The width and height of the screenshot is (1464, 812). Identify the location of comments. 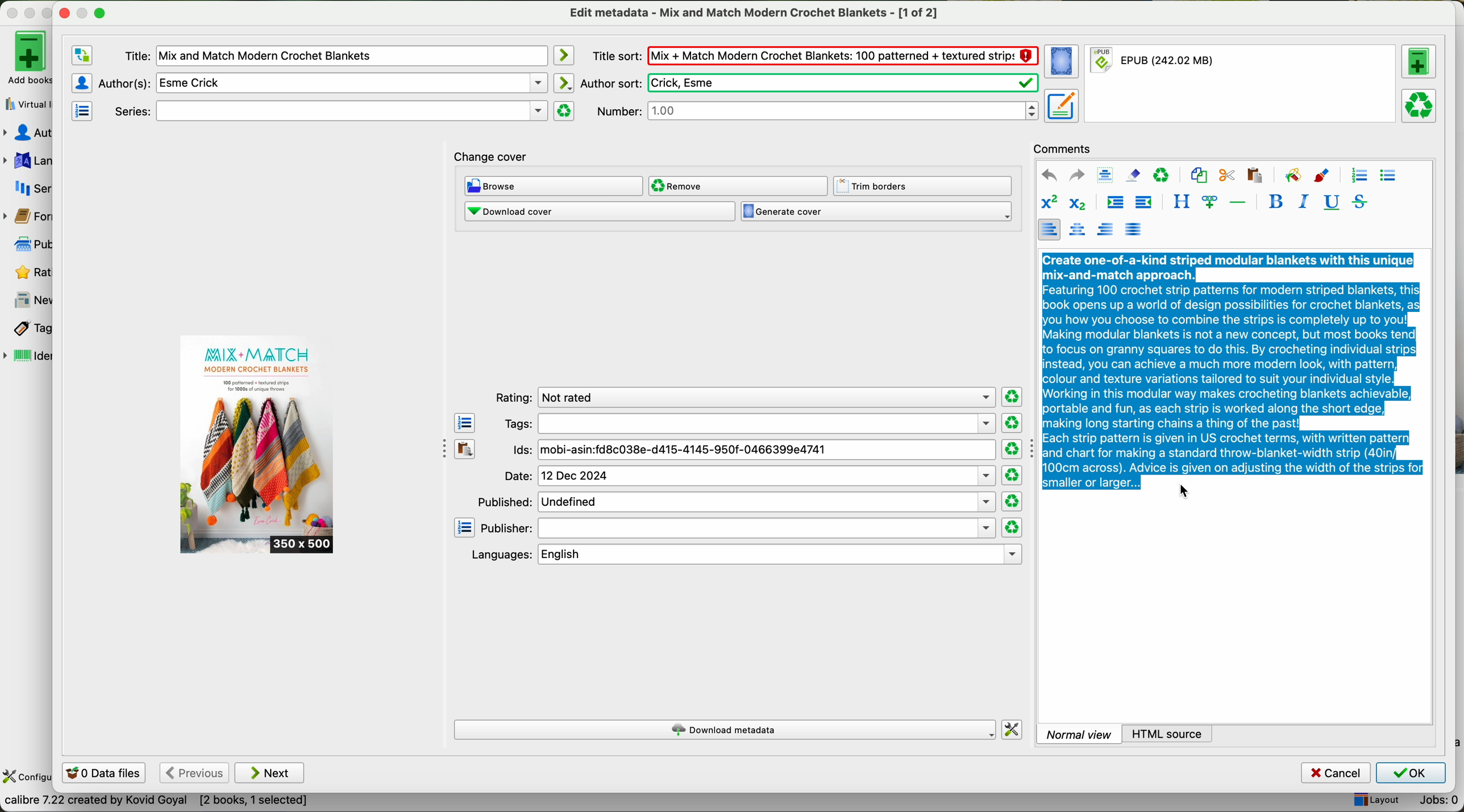
(1066, 147).